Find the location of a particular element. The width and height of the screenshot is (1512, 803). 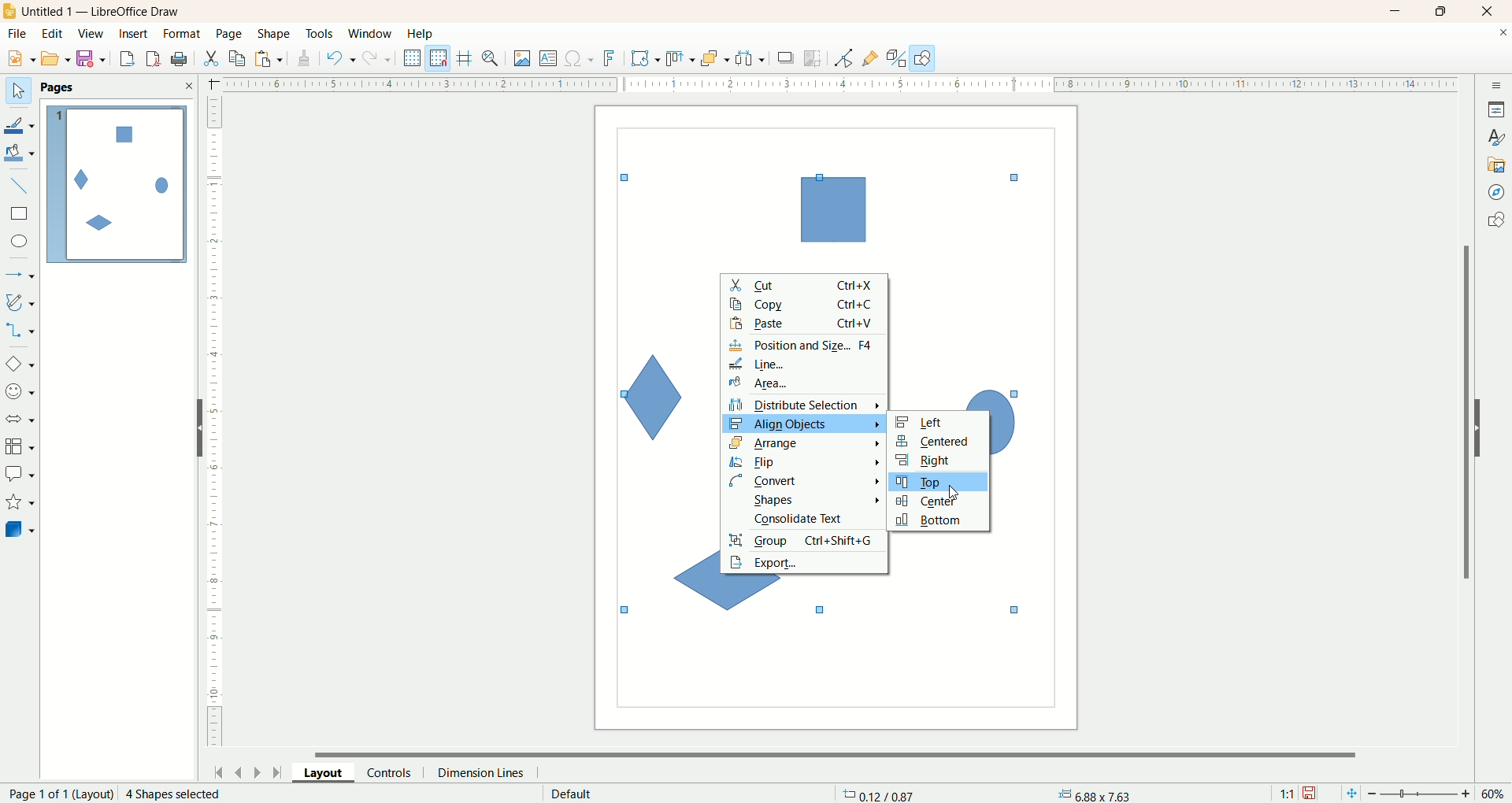

flowchart is located at coordinates (20, 447).